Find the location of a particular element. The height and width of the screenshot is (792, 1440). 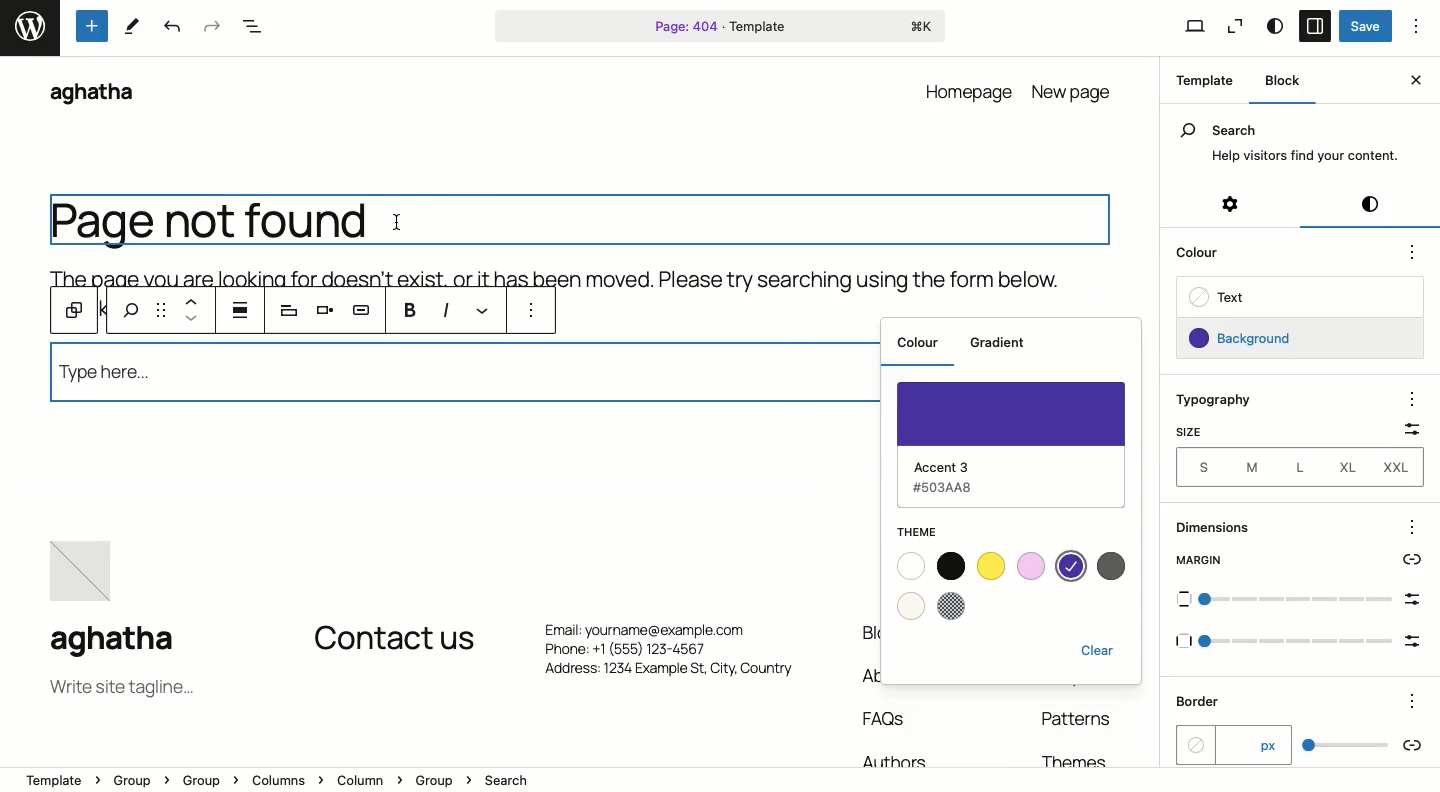

Search is located at coordinates (1296, 130).